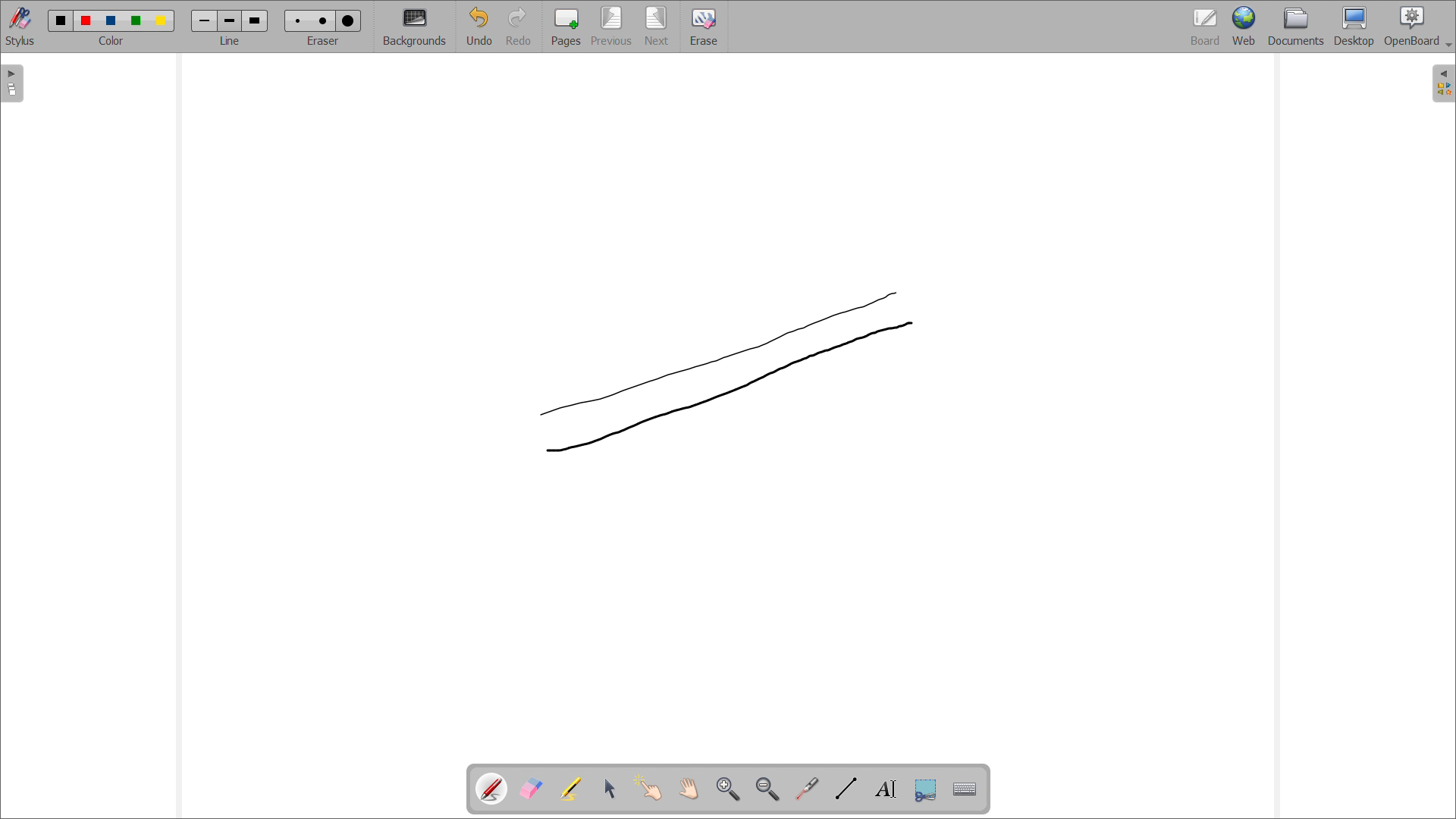 The width and height of the screenshot is (1456, 819). I want to click on cursor, so click(912, 324).